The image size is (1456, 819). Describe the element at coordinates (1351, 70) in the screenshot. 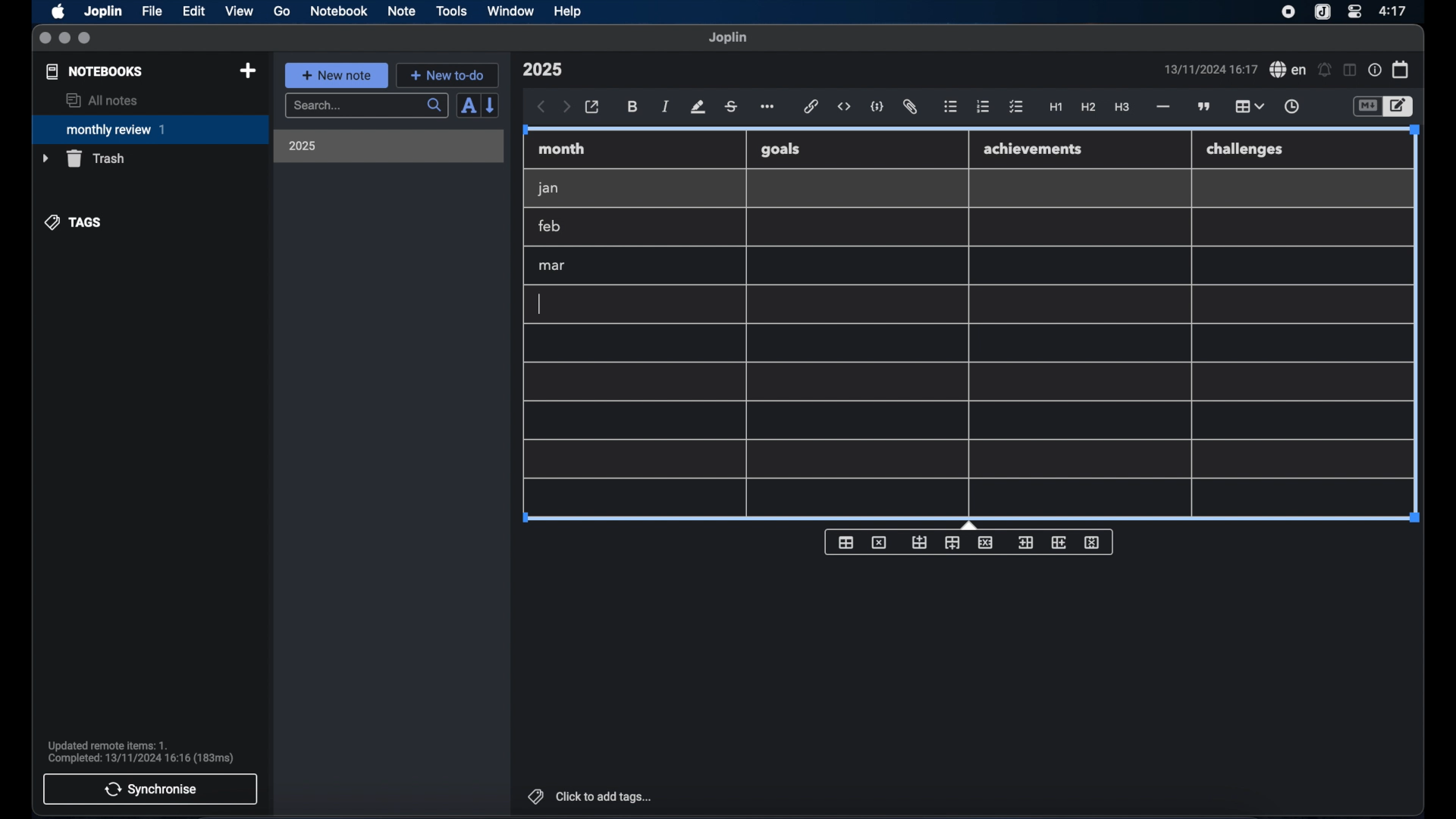

I see `toggle editor layout` at that location.